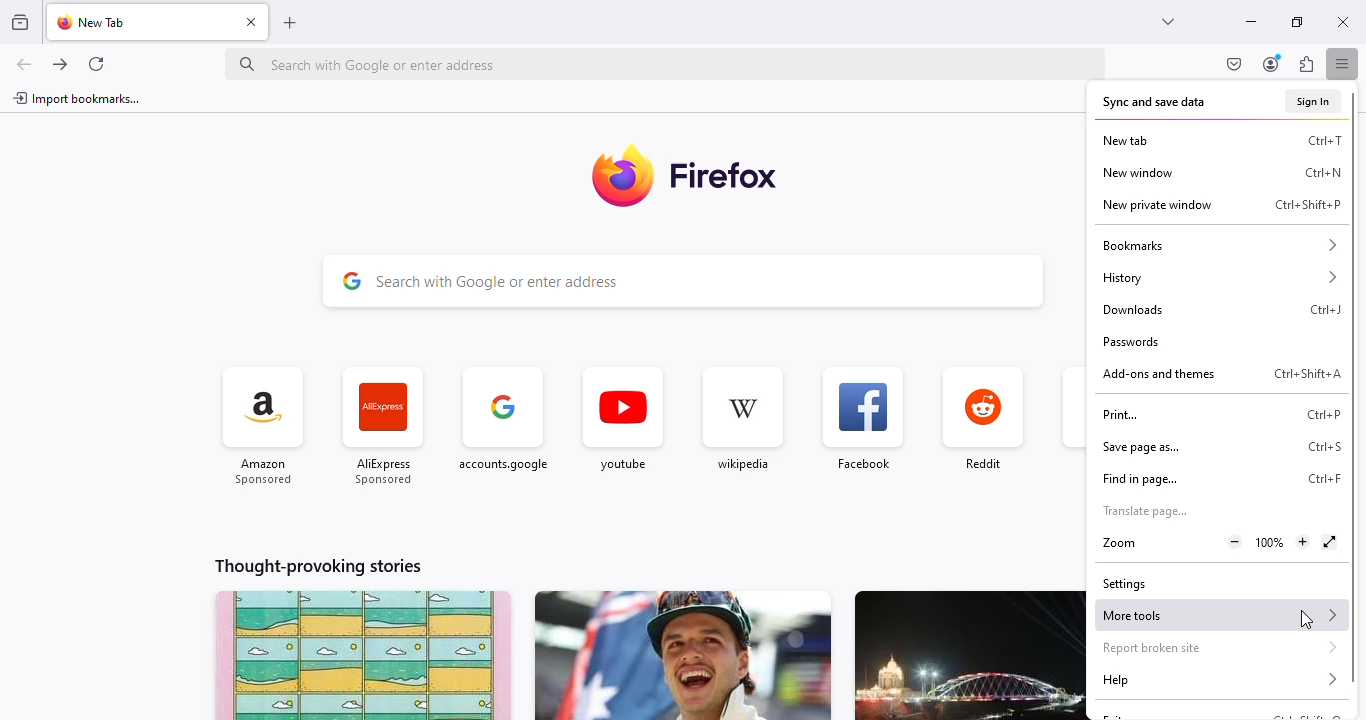 This screenshot has height=720, width=1366. What do you see at coordinates (1235, 542) in the screenshot?
I see `zoom out` at bounding box center [1235, 542].